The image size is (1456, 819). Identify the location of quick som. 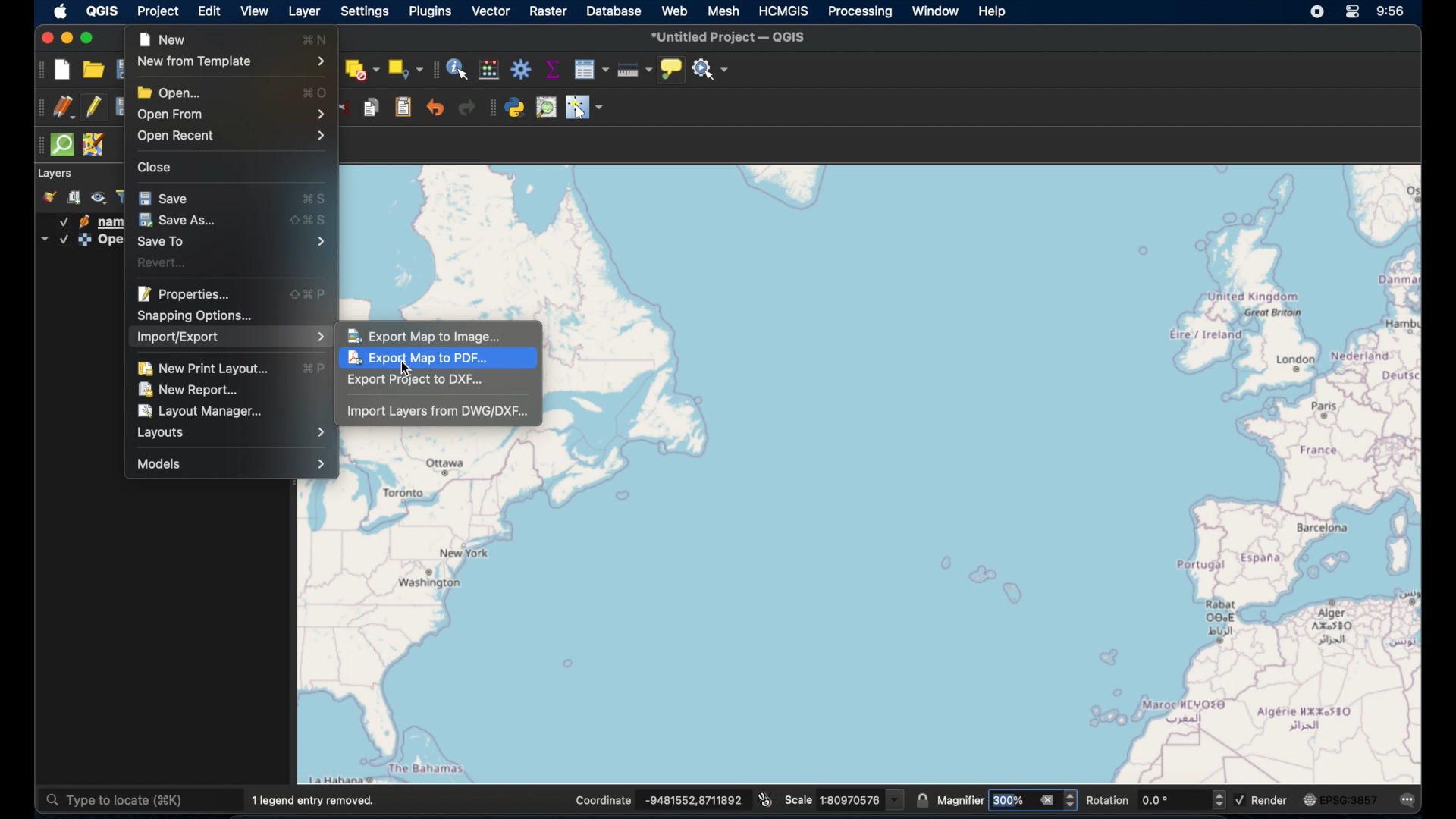
(64, 146).